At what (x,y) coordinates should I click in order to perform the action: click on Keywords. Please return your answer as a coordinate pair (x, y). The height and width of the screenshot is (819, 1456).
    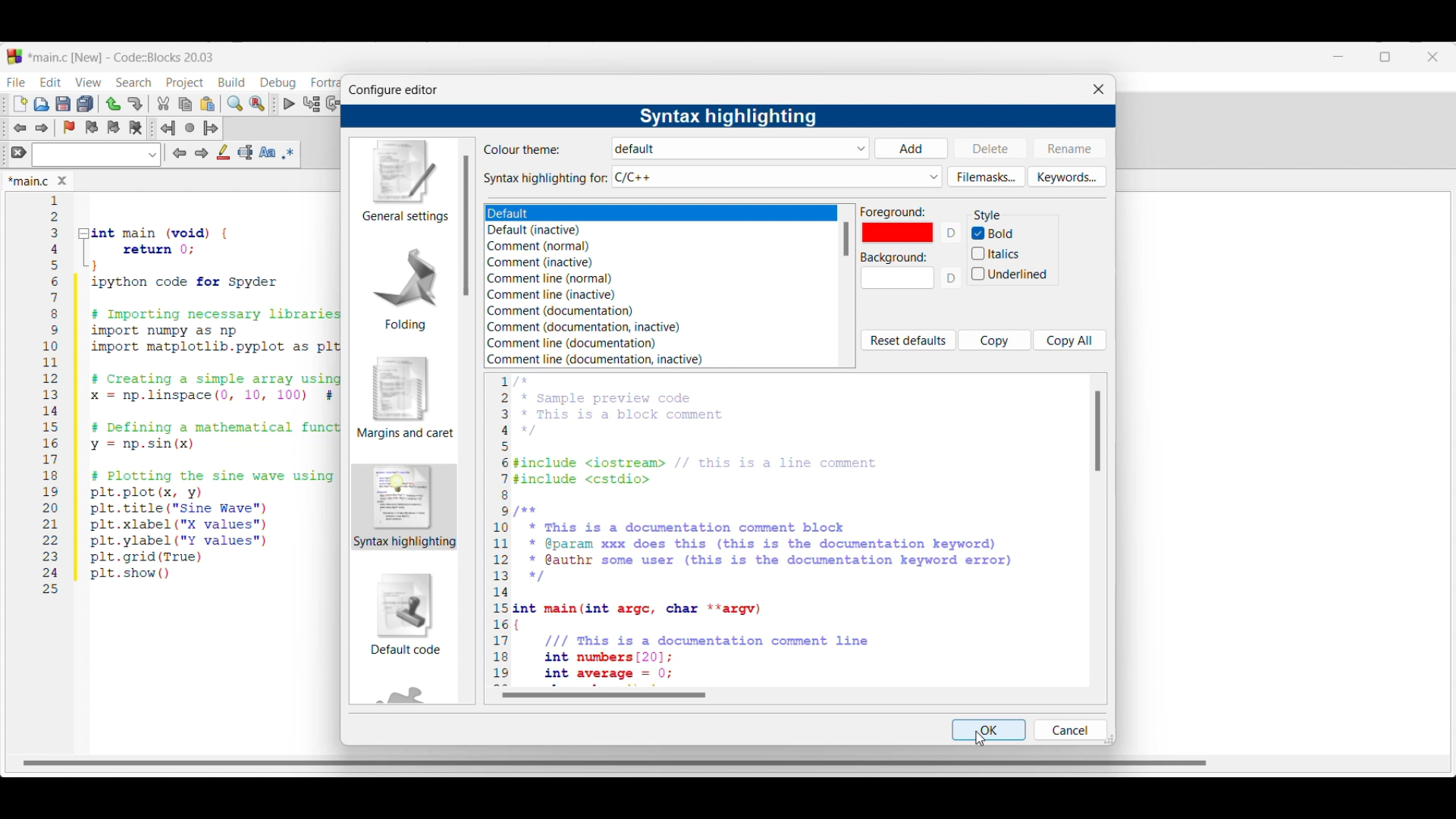
    Looking at the image, I should click on (1067, 177).